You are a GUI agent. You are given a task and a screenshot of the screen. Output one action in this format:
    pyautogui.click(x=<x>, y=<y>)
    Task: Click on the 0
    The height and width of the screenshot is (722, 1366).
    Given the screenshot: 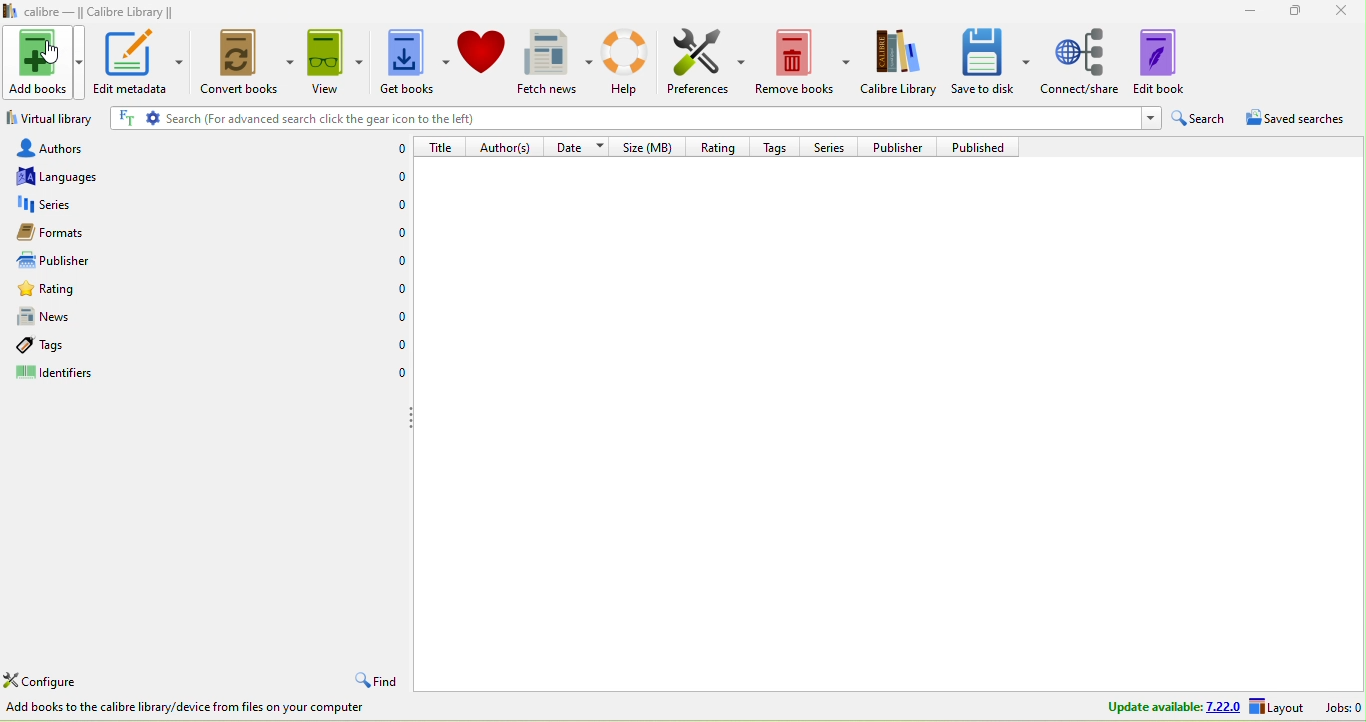 What is the action you would take?
    pyautogui.click(x=396, y=174)
    